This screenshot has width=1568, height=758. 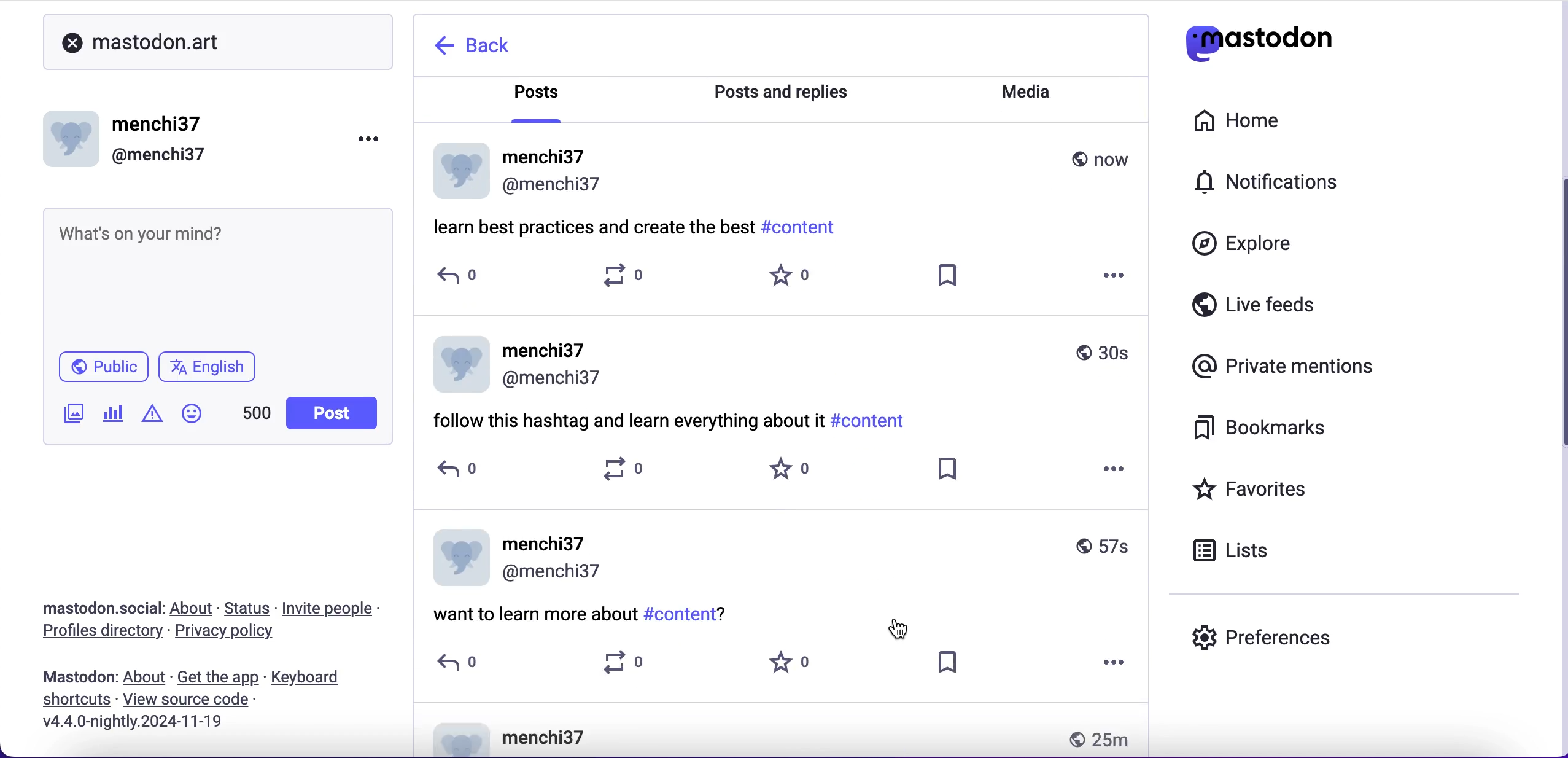 I want to click on 25 m ago, so click(x=1101, y=737).